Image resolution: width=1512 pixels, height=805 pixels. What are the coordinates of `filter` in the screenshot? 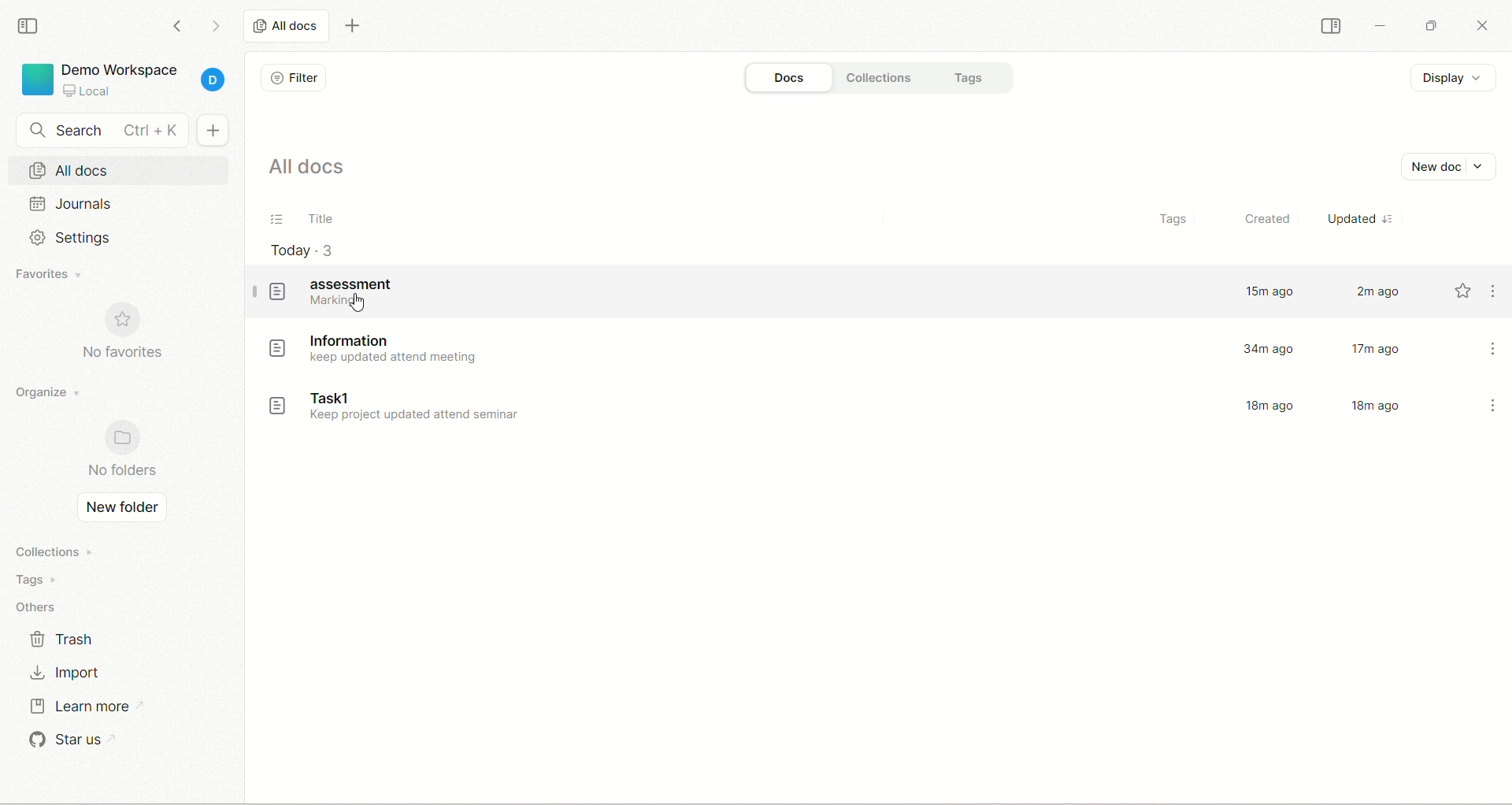 It's located at (295, 80).